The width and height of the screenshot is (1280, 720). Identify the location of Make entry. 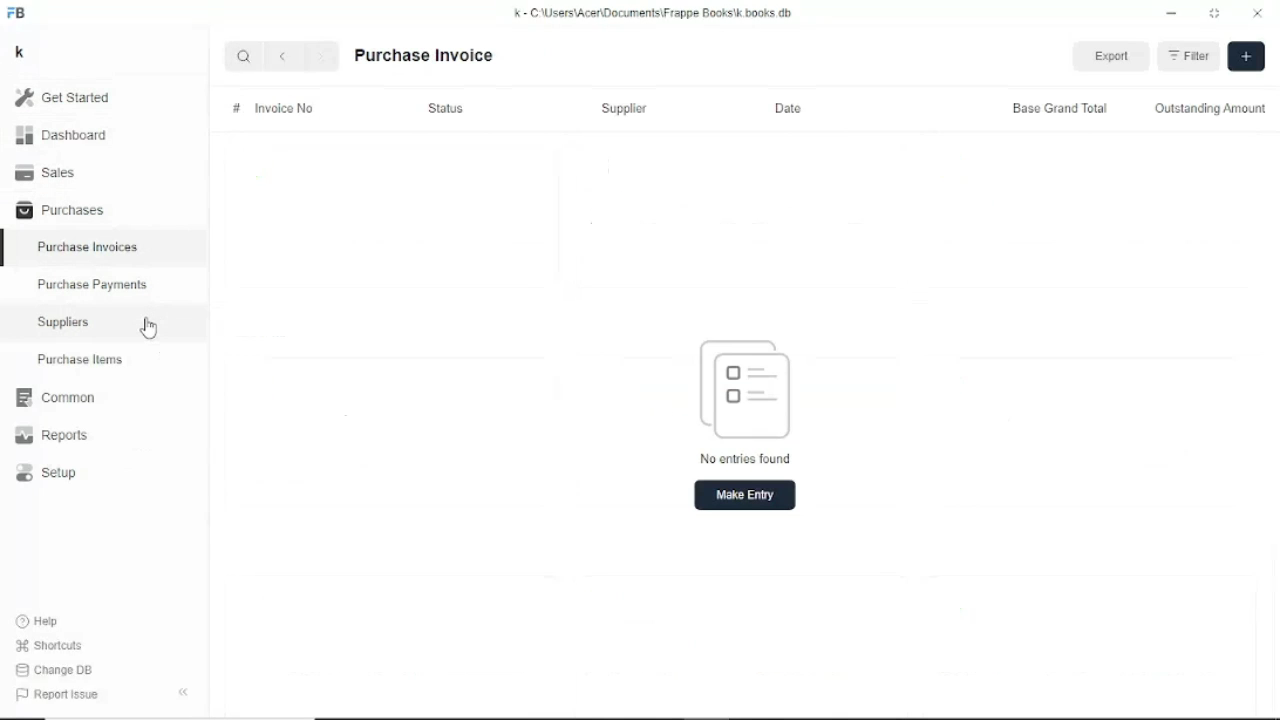
(1246, 56).